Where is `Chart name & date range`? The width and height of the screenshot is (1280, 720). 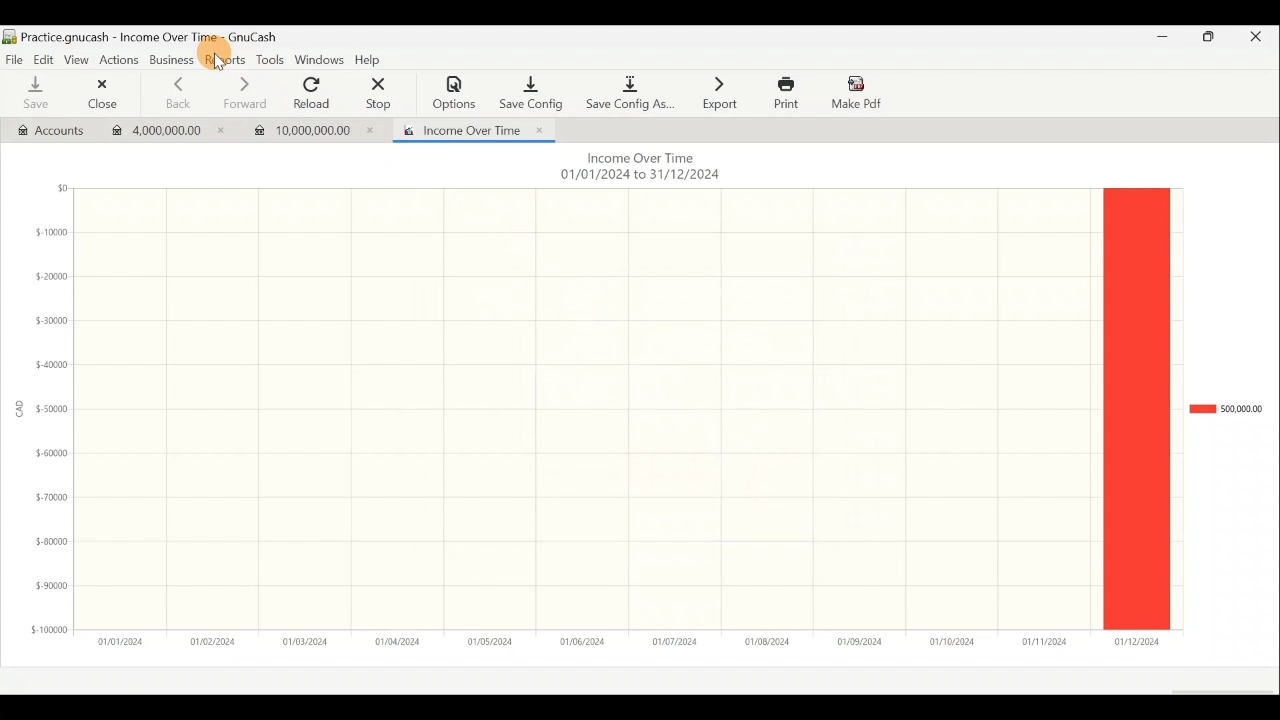
Chart name & date range is located at coordinates (638, 168).